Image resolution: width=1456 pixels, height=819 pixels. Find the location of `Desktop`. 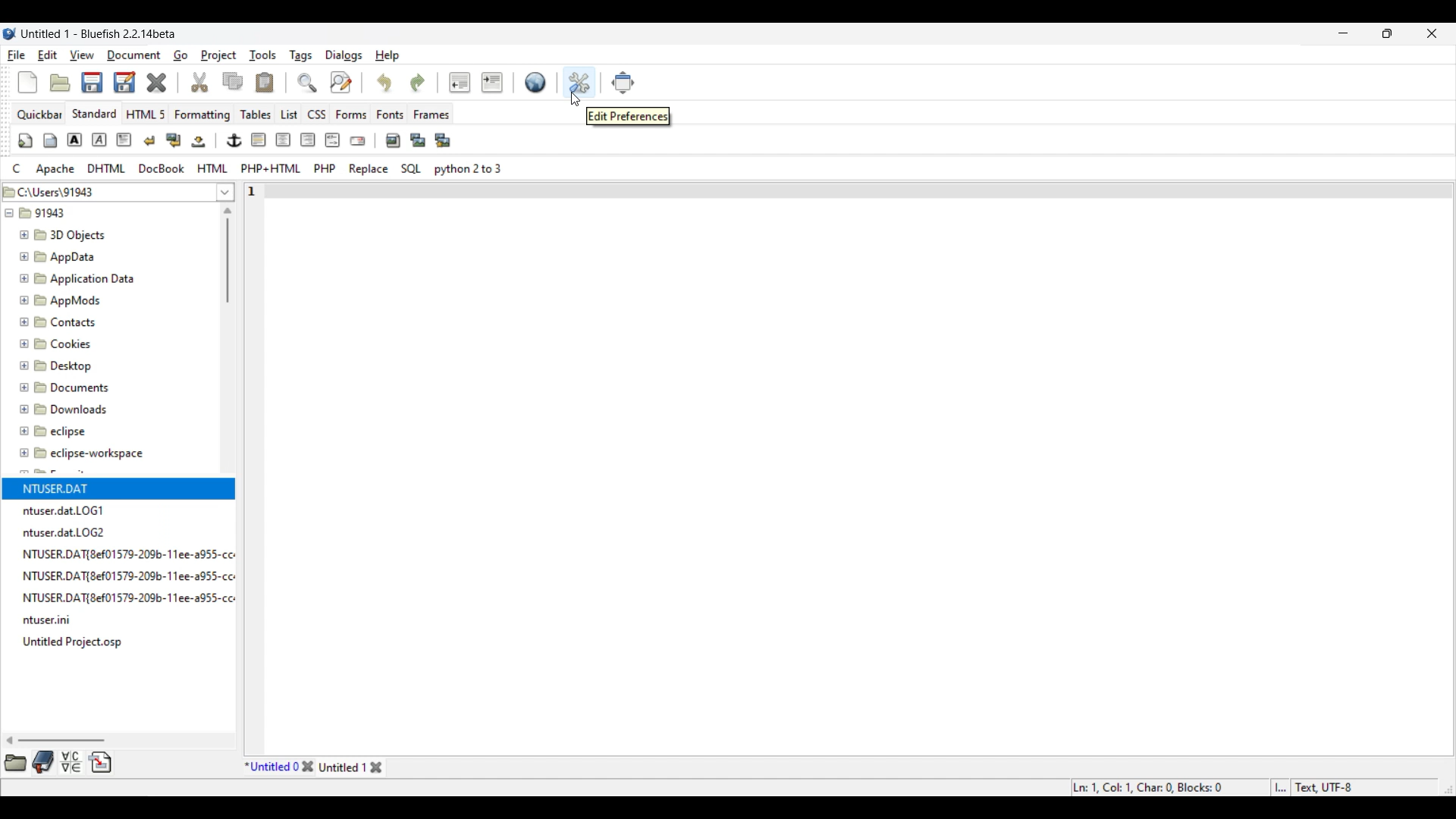

Desktop is located at coordinates (64, 363).